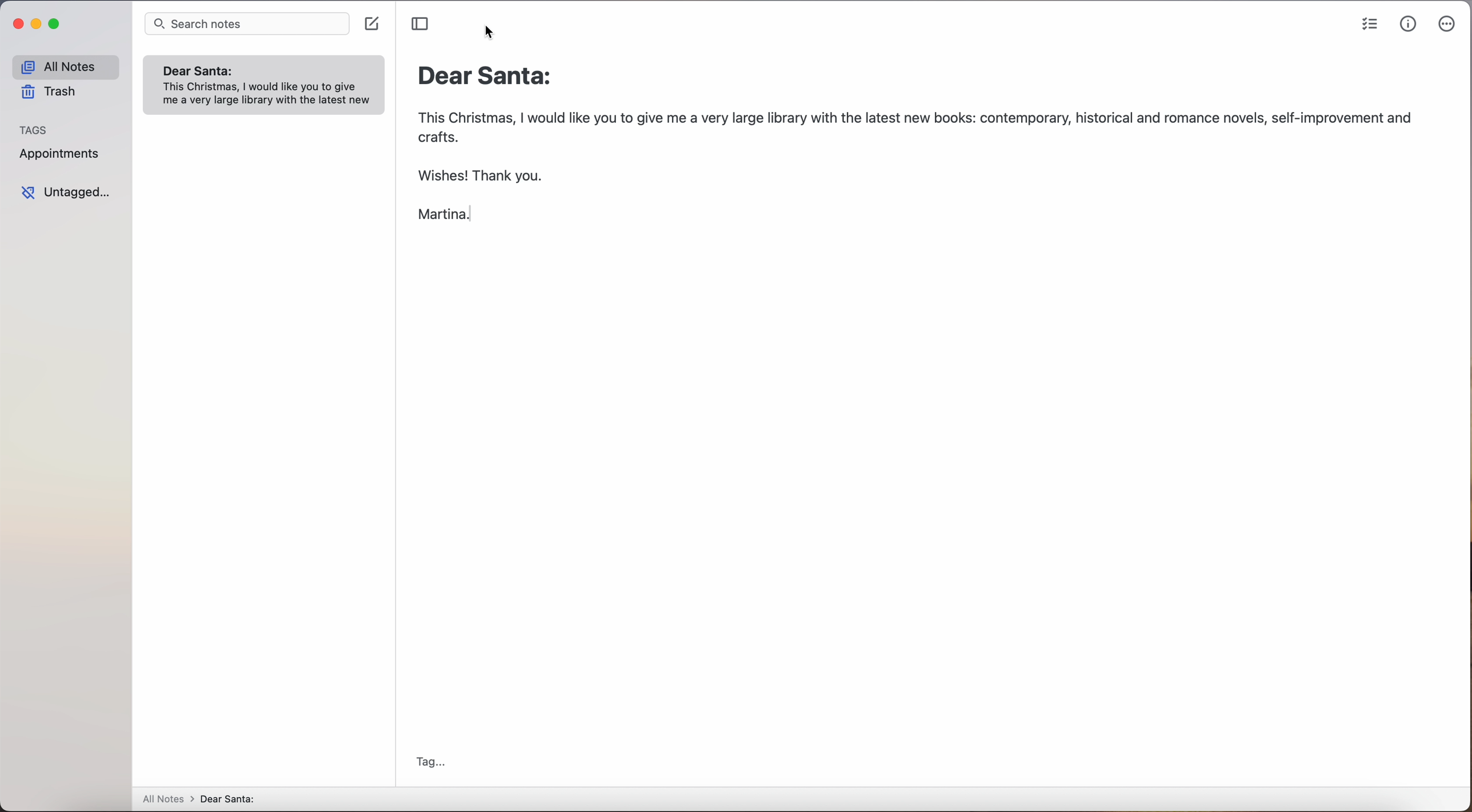 This screenshot has height=812, width=1472. What do you see at coordinates (166, 798) in the screenshot?
I see `all notes` at bounding box center [166, 798].